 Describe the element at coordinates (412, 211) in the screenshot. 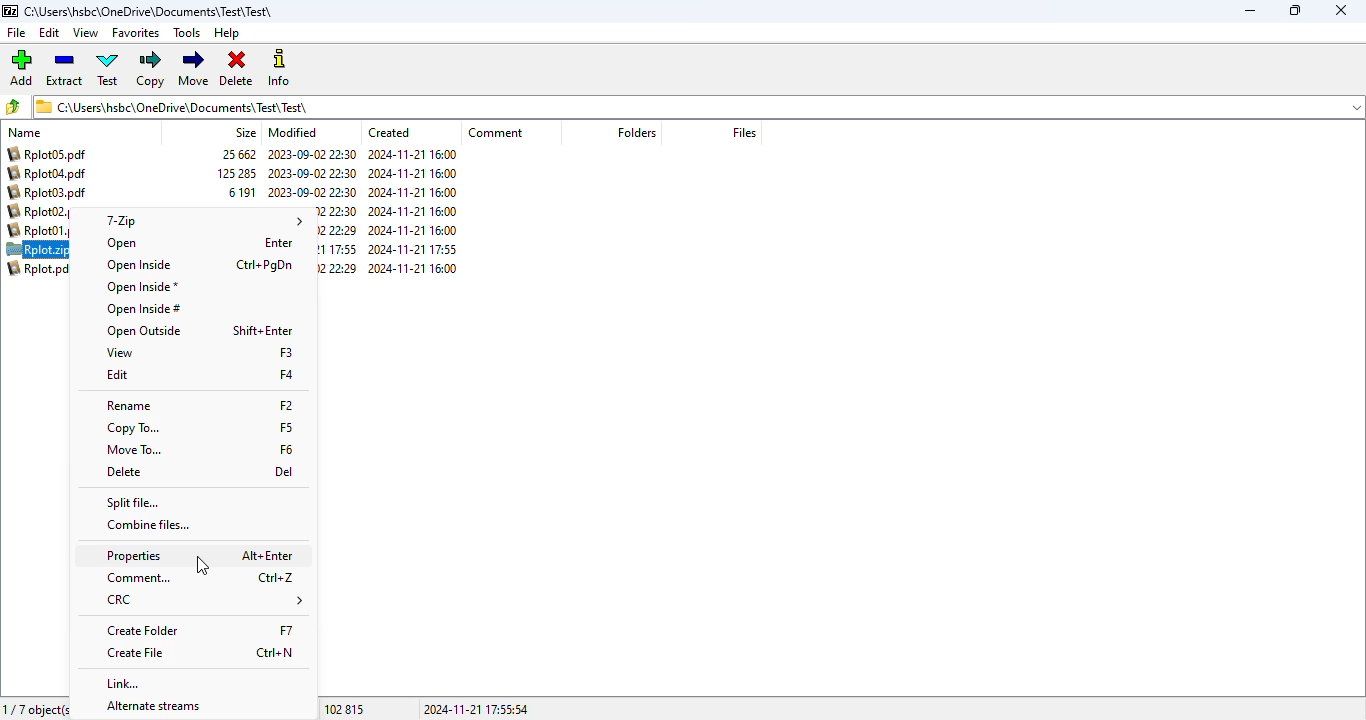

I see `created date & time` at that location.